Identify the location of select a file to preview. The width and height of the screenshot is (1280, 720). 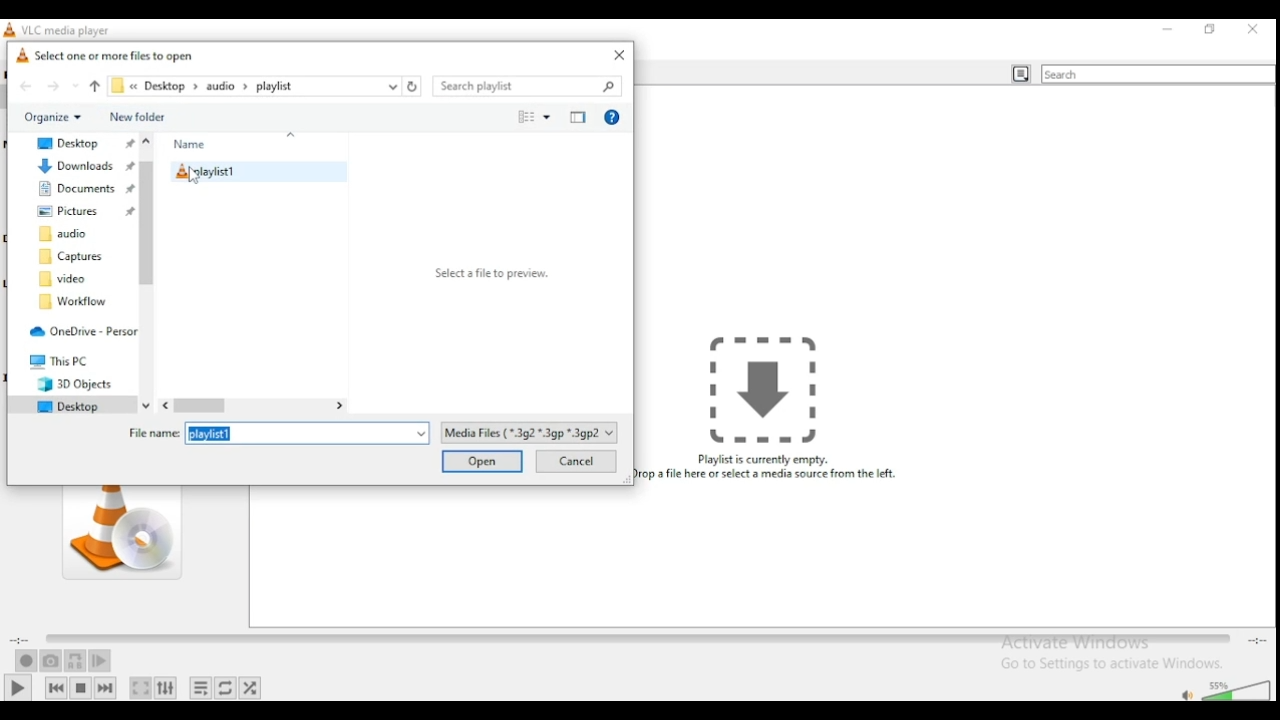
(486, 272).